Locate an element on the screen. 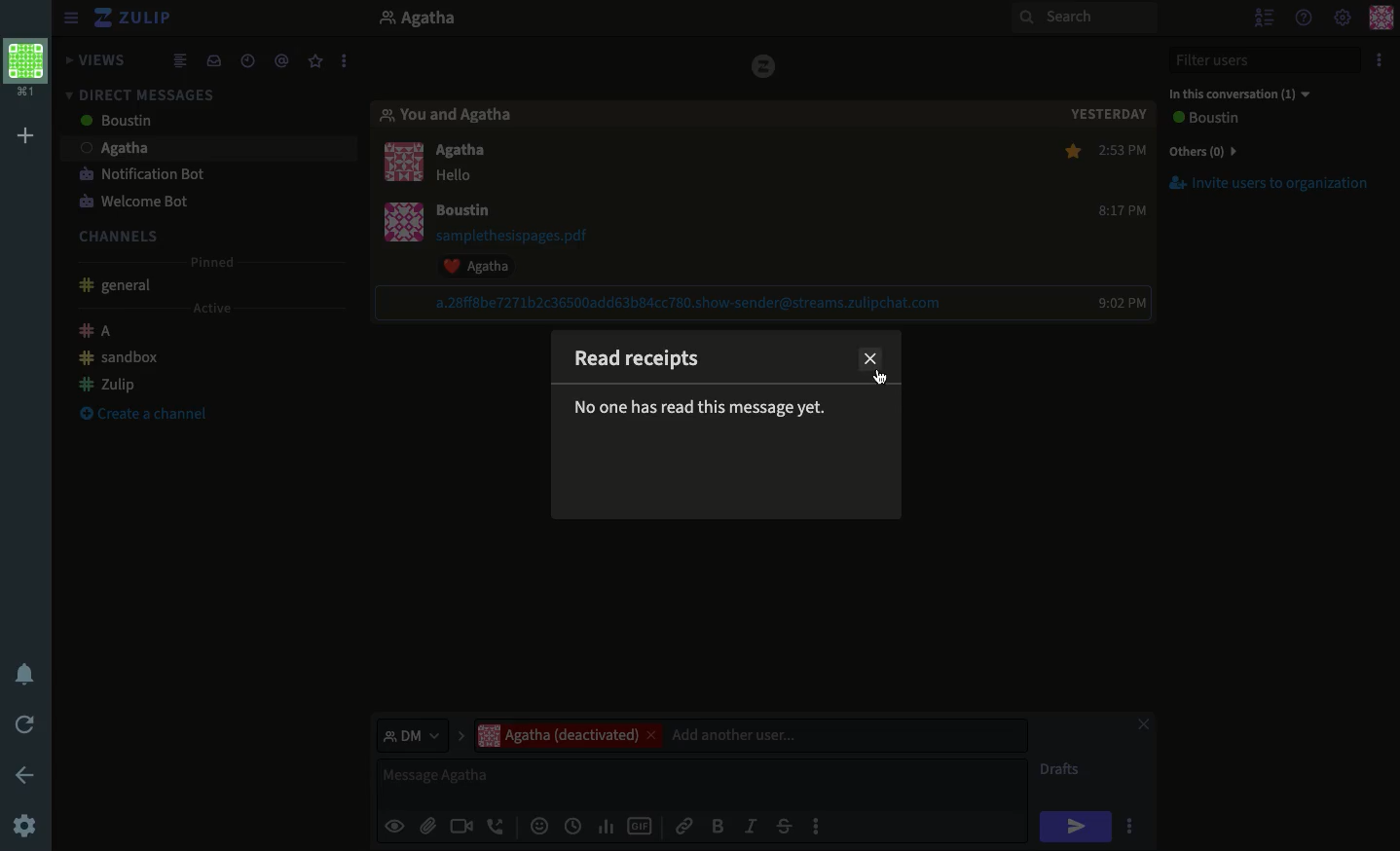 The image size is (1400, 851). View all users is located at coordinates (1223, 120).